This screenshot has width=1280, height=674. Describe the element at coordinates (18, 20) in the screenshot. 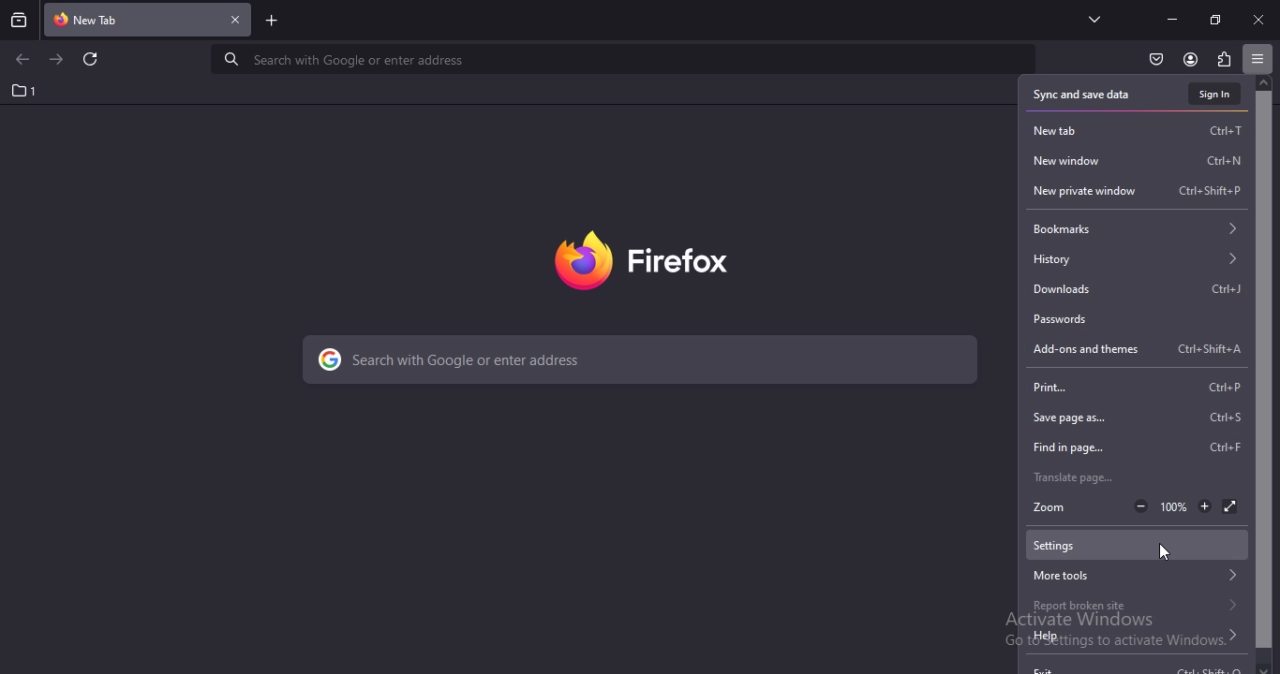

I see `search tabs` at that location.